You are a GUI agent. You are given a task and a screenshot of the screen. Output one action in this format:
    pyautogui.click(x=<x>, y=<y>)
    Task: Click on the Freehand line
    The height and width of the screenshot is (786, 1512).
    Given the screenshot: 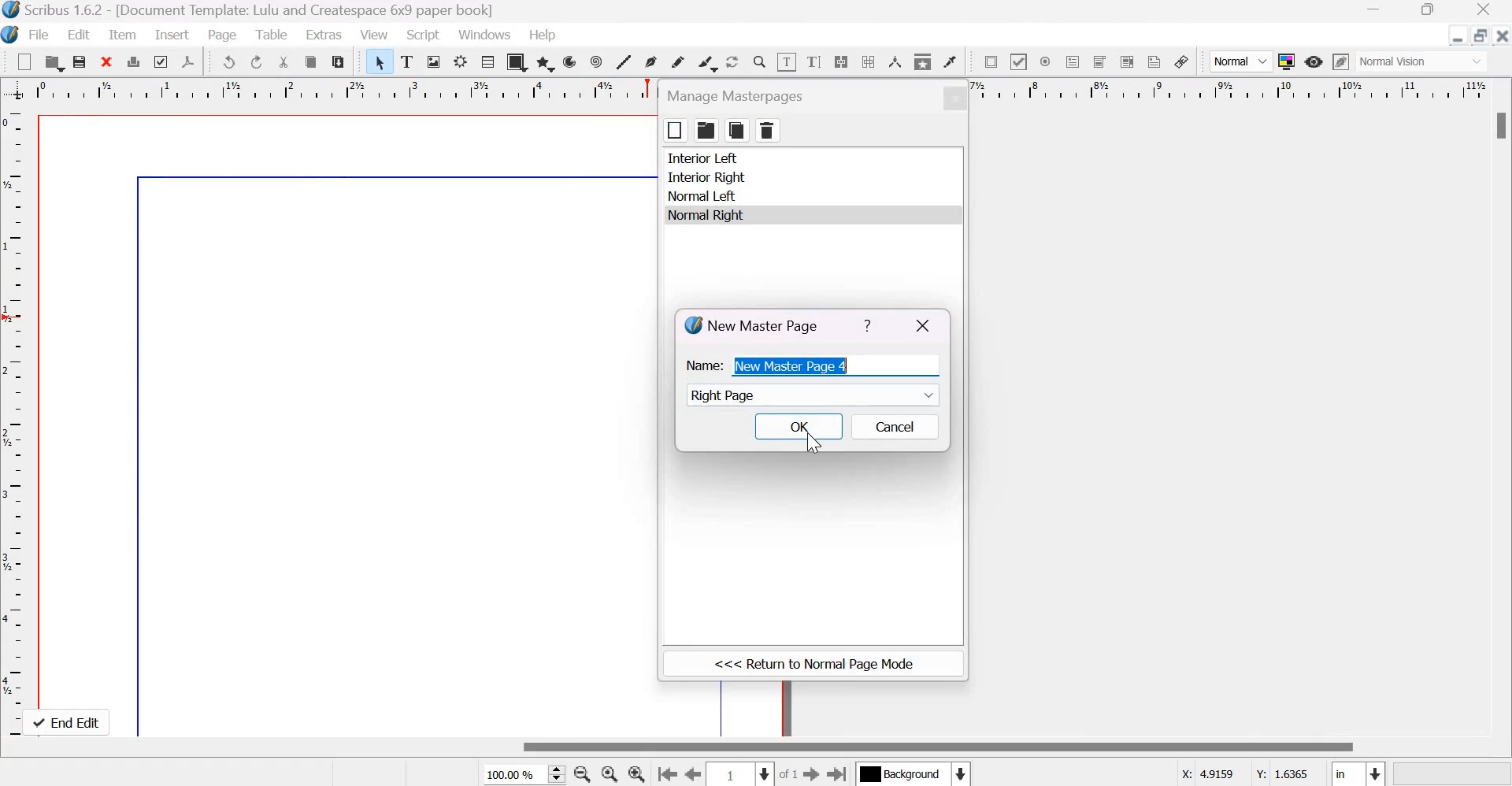 What is the action you would take?
    pyautogui.click(x=679, y=62)
    